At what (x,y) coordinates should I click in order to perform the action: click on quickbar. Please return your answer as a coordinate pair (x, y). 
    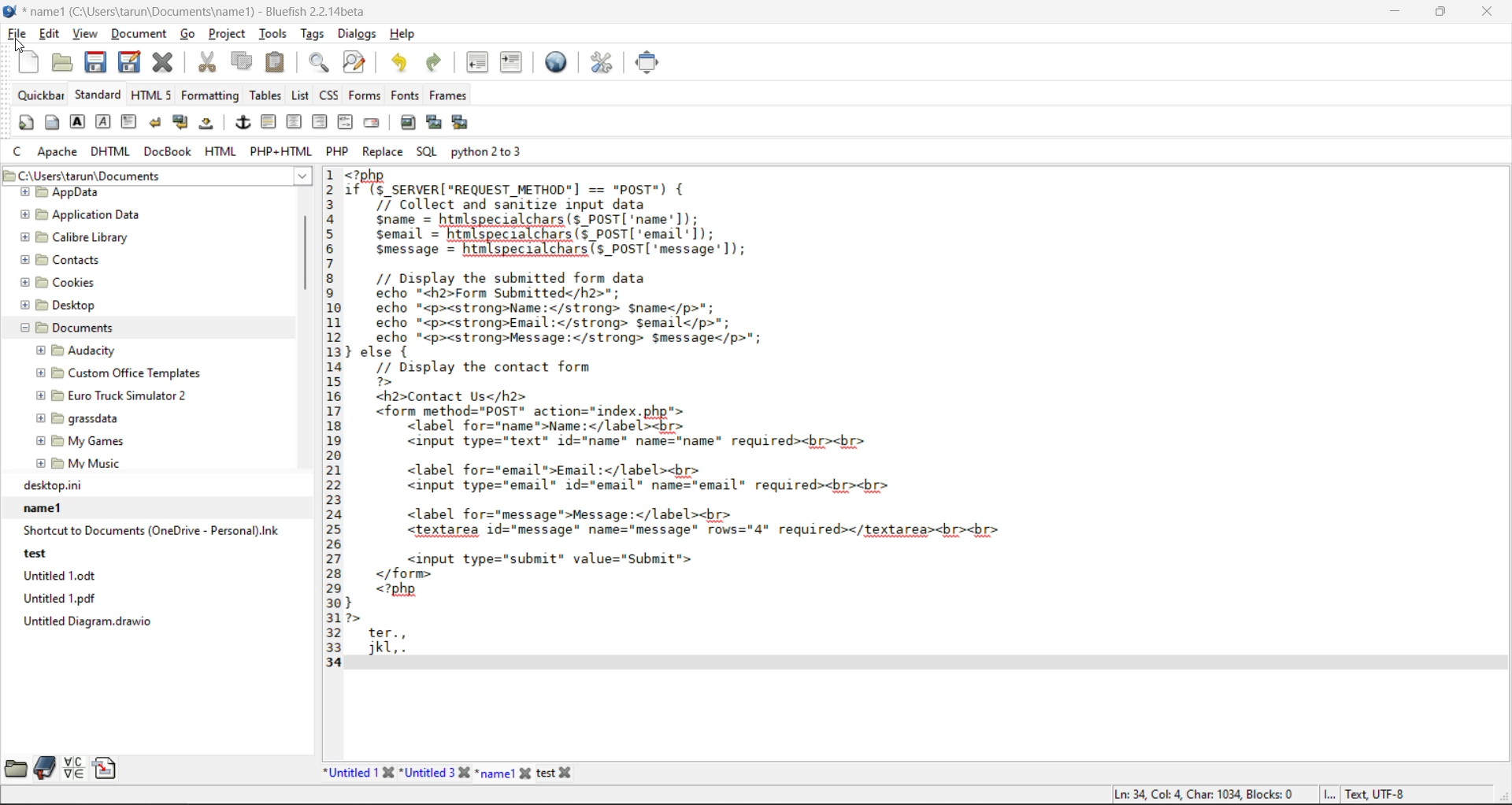
    Looking at the image, I should click on (39, 98).